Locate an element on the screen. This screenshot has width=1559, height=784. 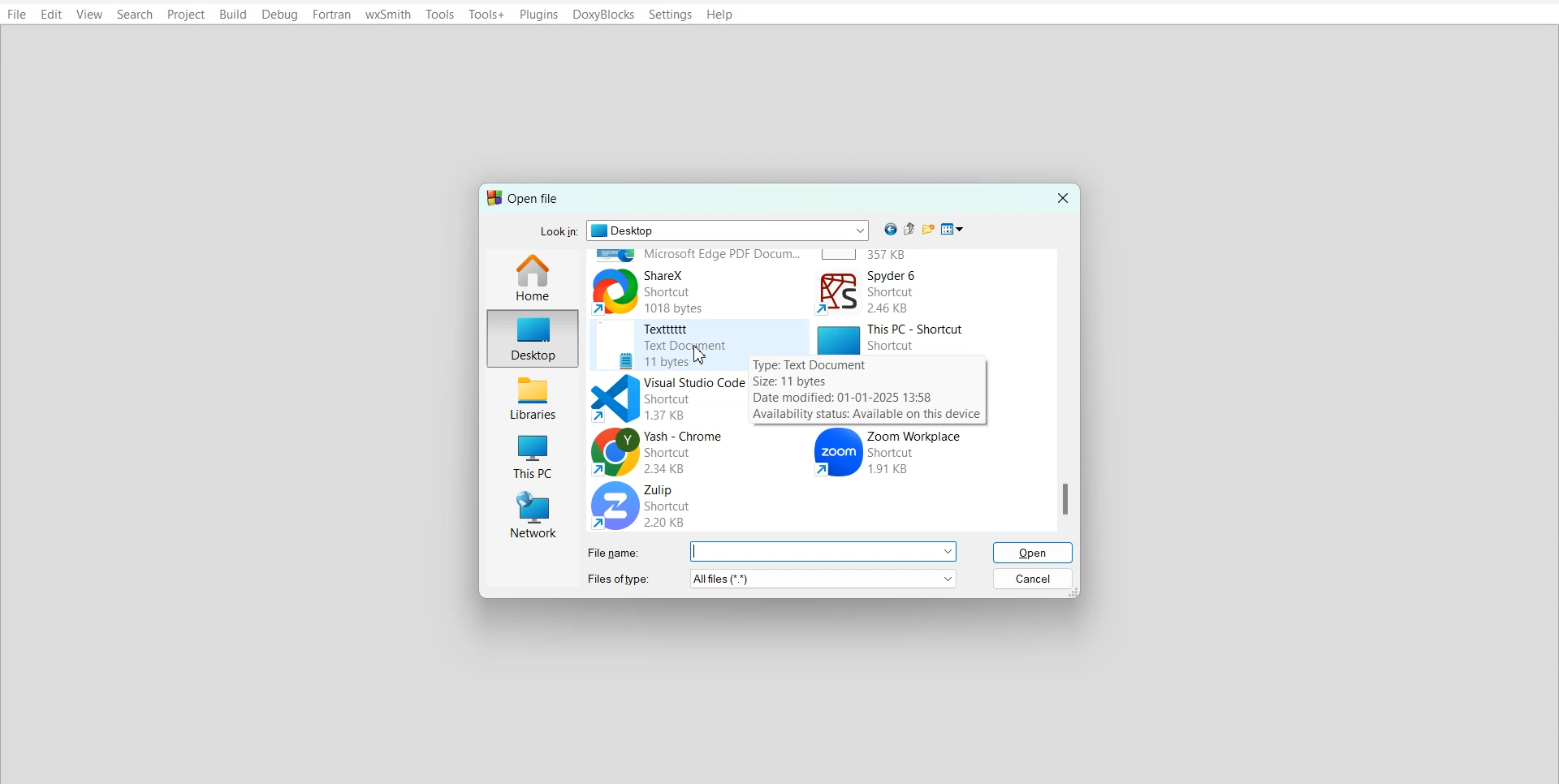
Go back to previous file is located at coordinates (889, 229).